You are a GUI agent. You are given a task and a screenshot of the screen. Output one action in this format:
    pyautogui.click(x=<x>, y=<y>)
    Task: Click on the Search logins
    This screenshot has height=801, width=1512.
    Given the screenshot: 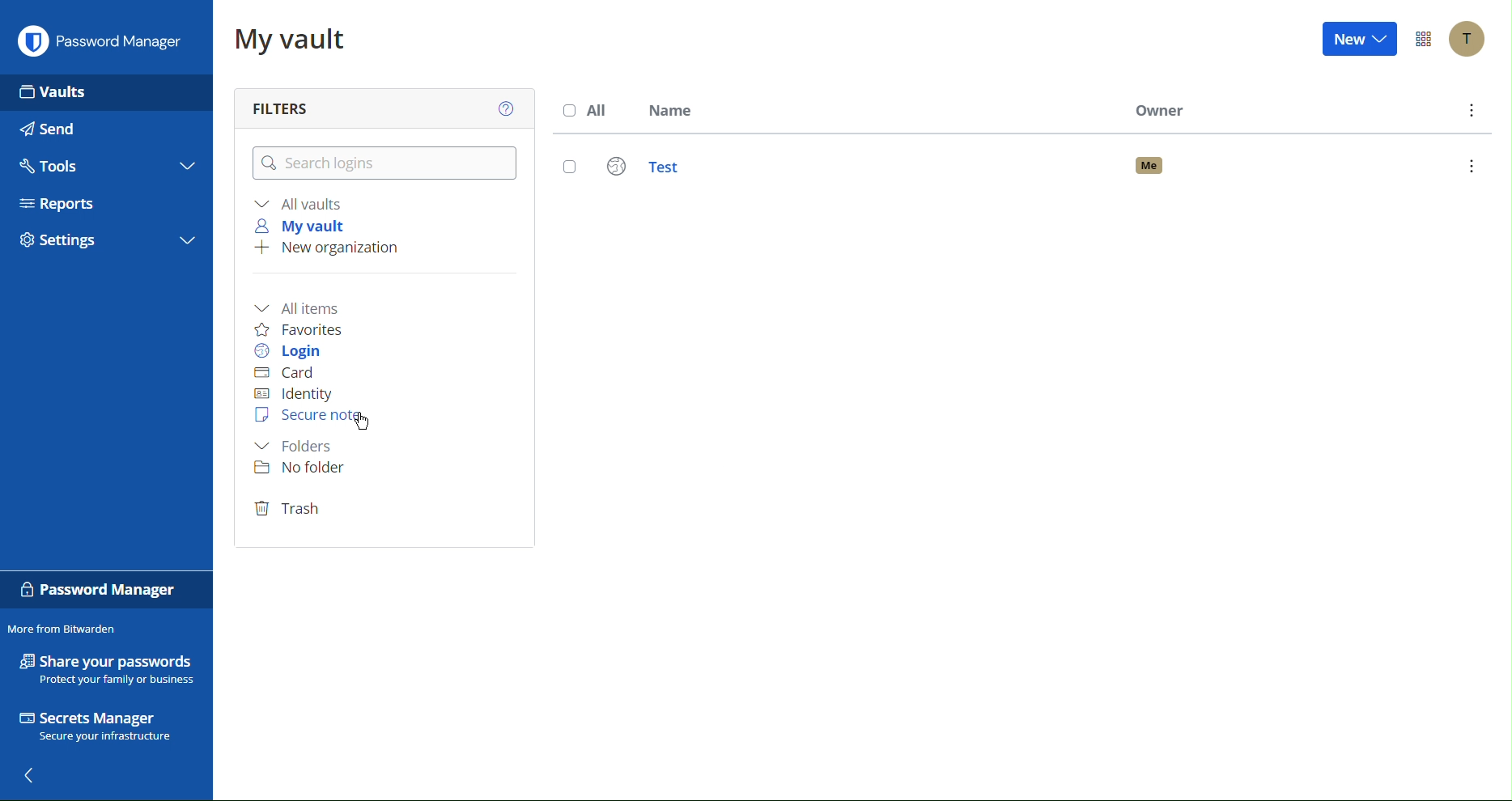 What is the action you would take?
    pyautogui.click(x=385, y=163)
    